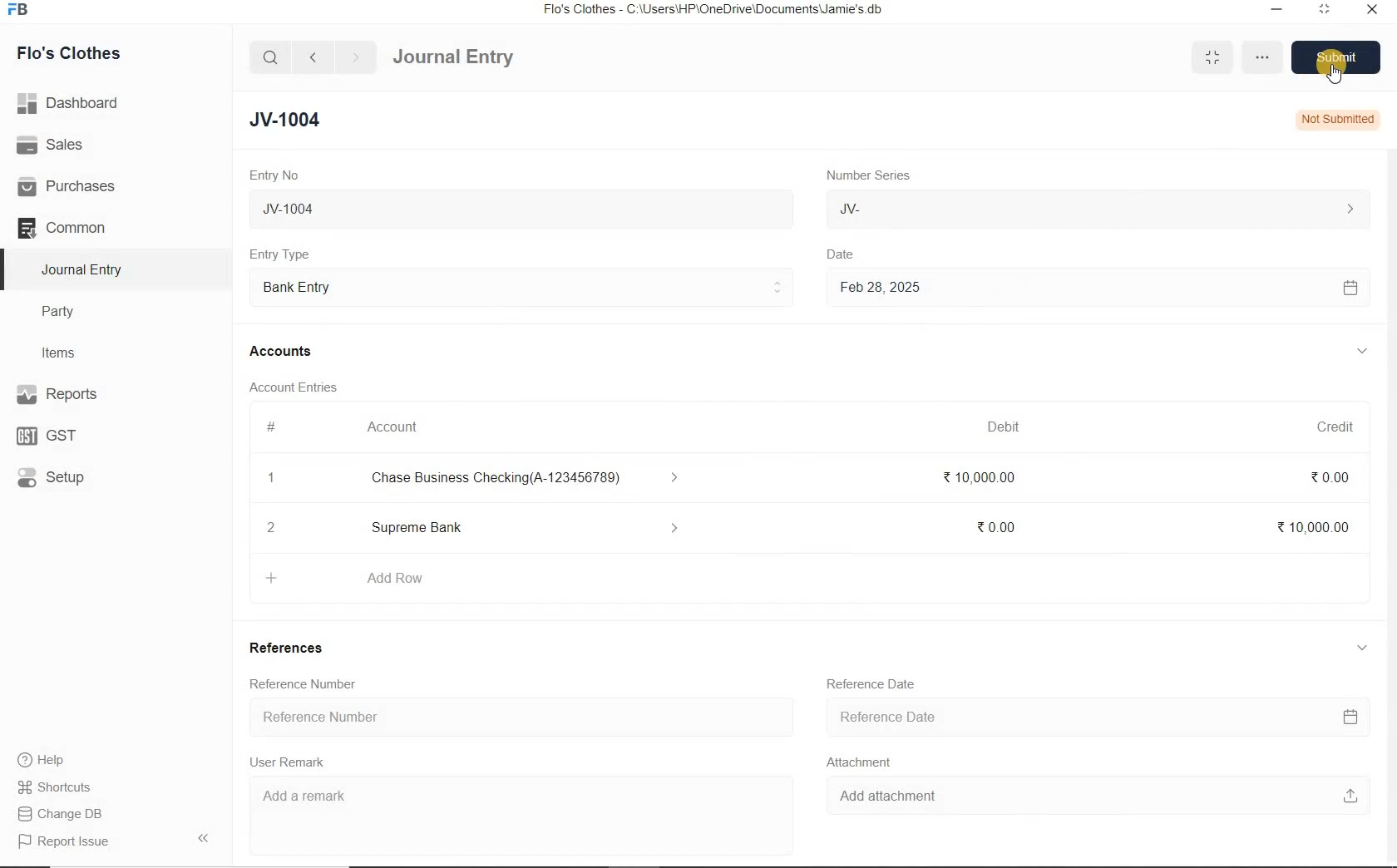 This screenshot has height=868, width=1397. What do you see at coordinates (398, 427) in the screenshot?
I see `Account` at bounding box center [398, 427].